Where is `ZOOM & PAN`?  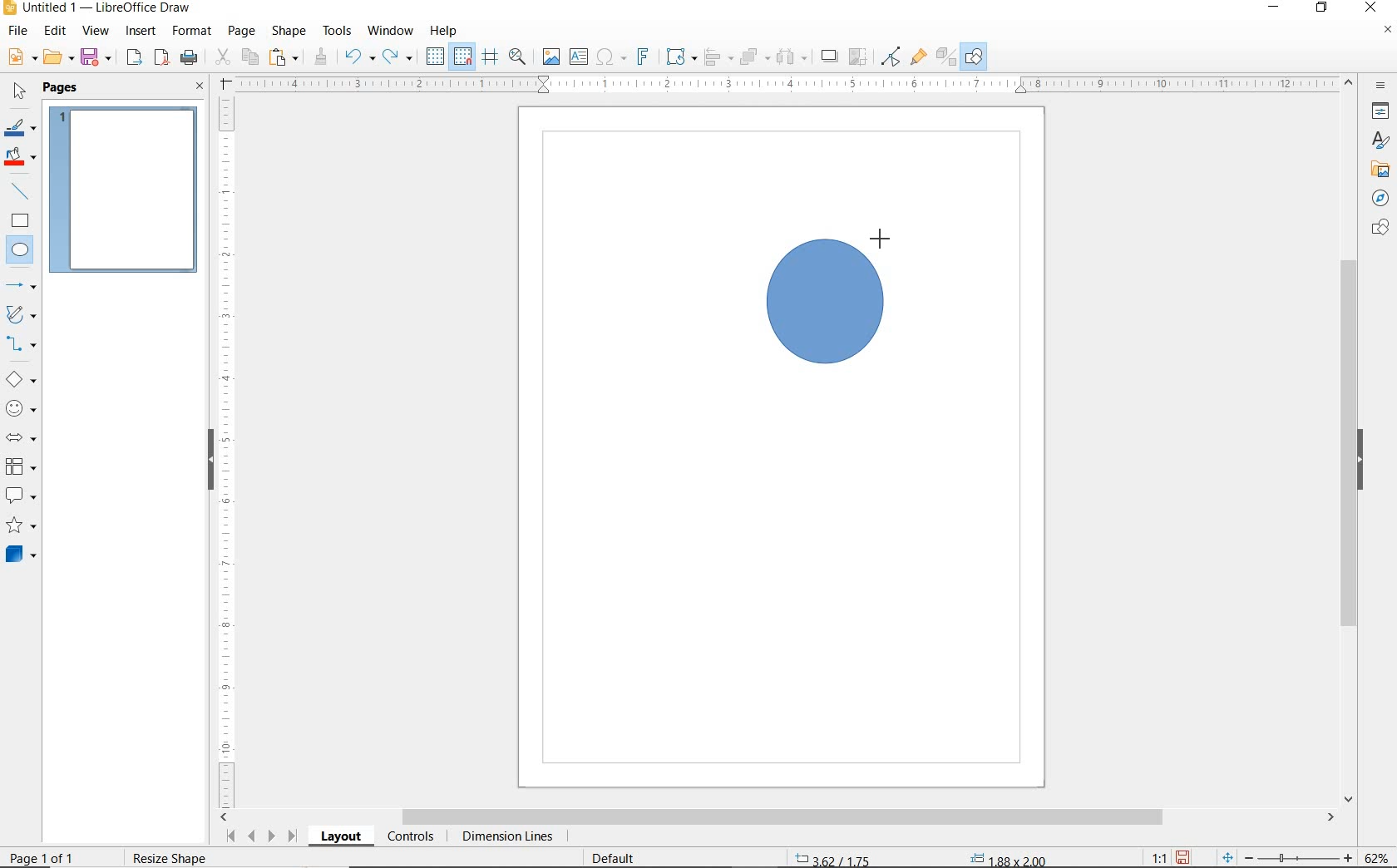 ZOOM & PAN is located at coordinates (517, 56).